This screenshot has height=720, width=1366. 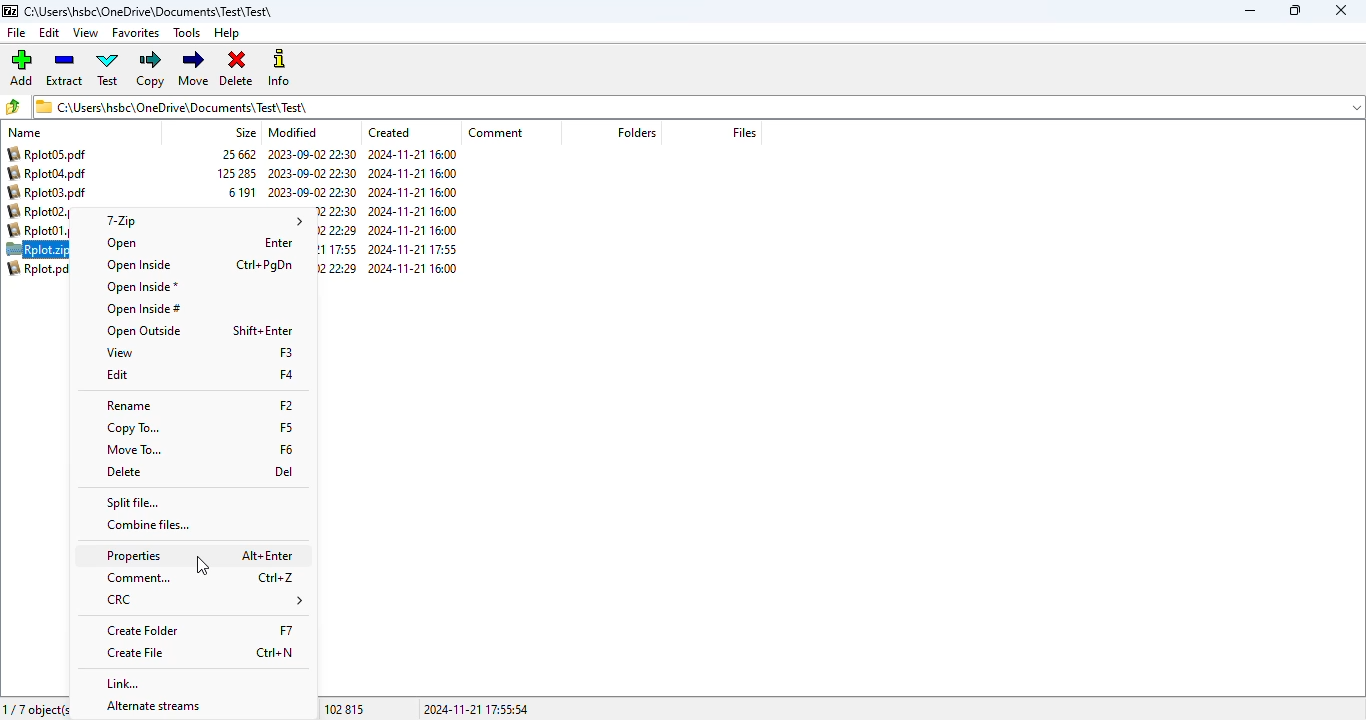 I want to click on files, so click(x=743, y=132).